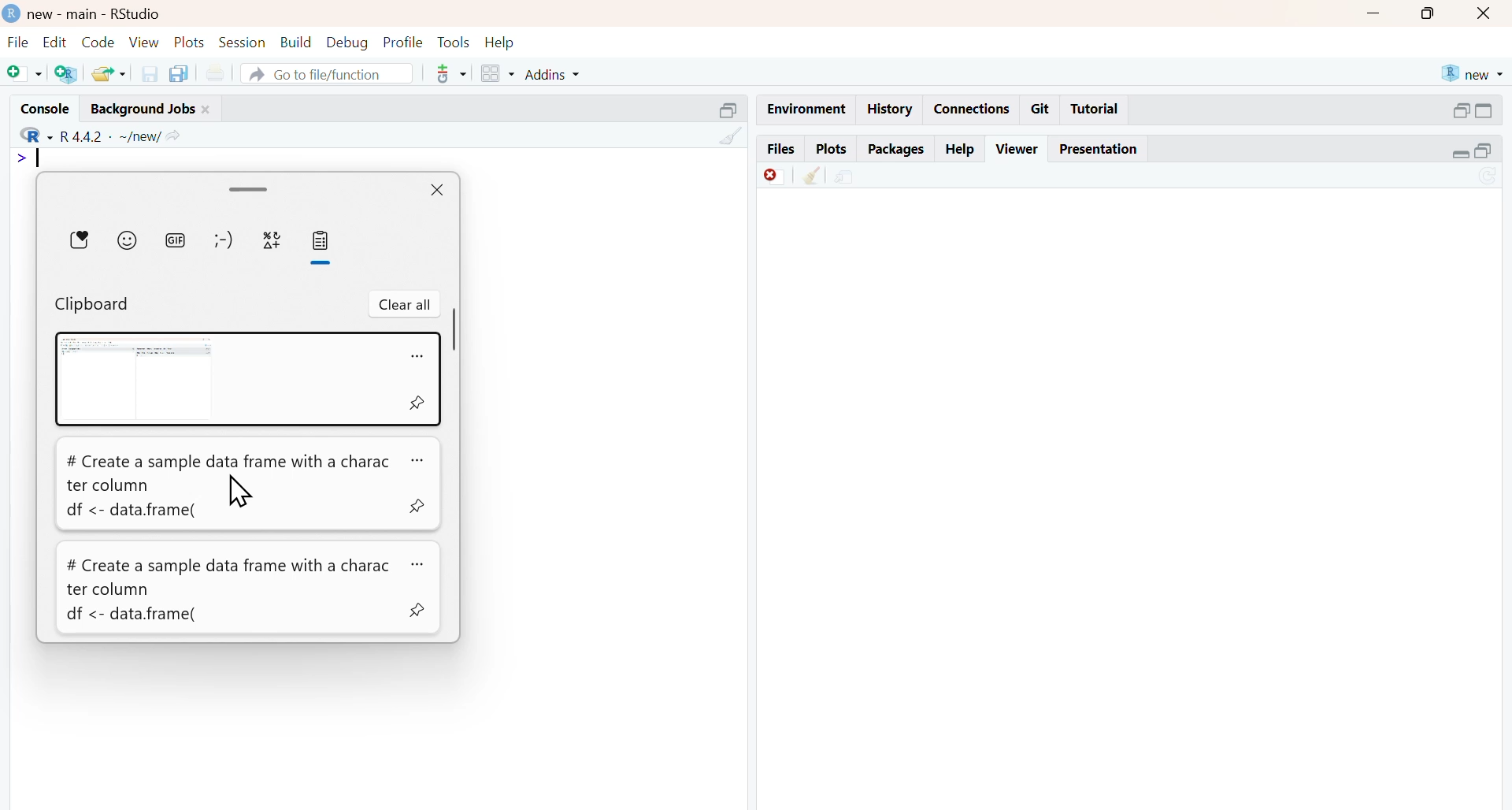 Image resolution: width=1512 pixels, height=810 pixels. Describe the element at coordinates (1096, 149) in the screenshot. I see `presentation` at that location.